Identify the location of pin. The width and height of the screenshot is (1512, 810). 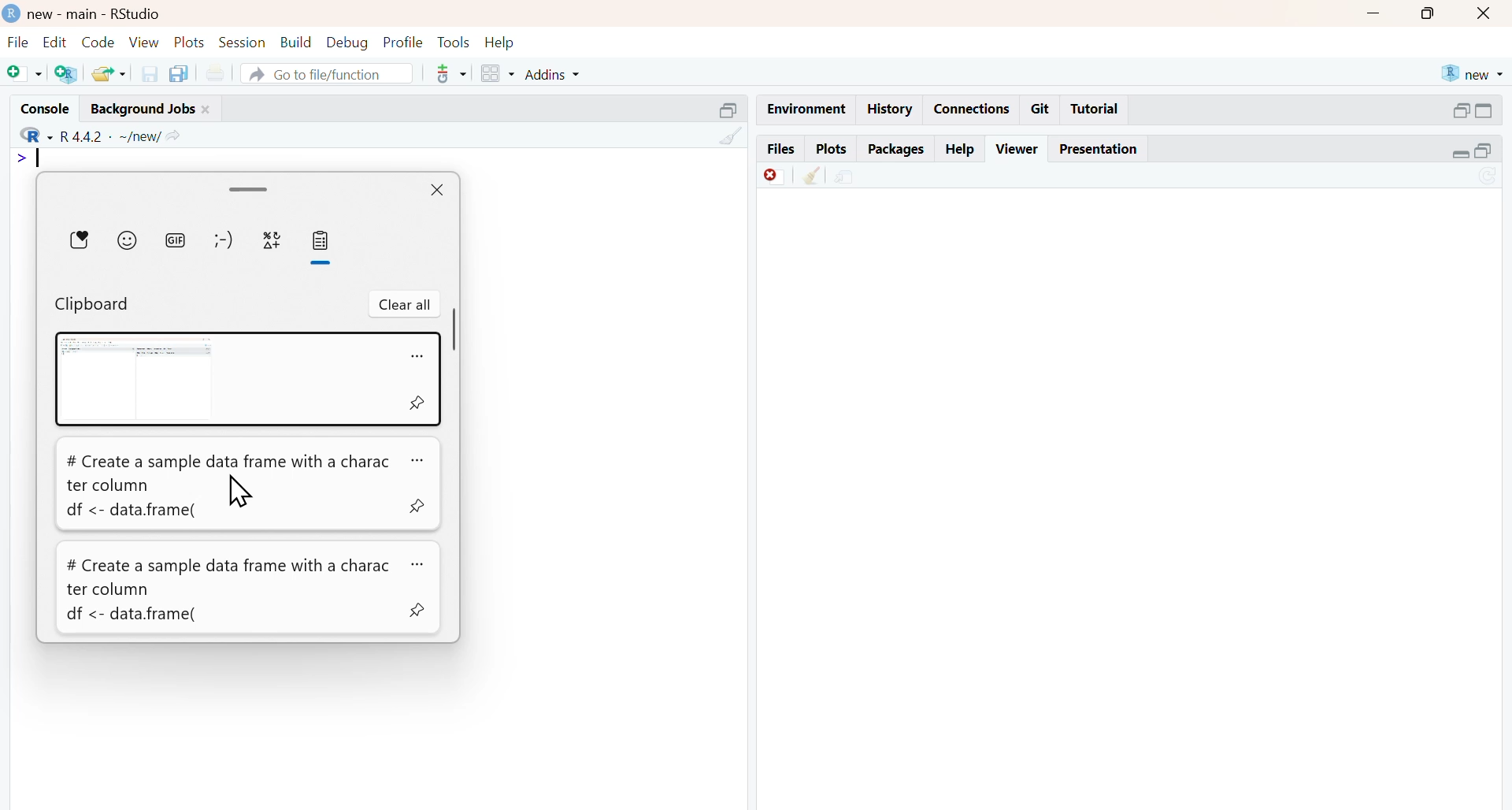
(417, 404).